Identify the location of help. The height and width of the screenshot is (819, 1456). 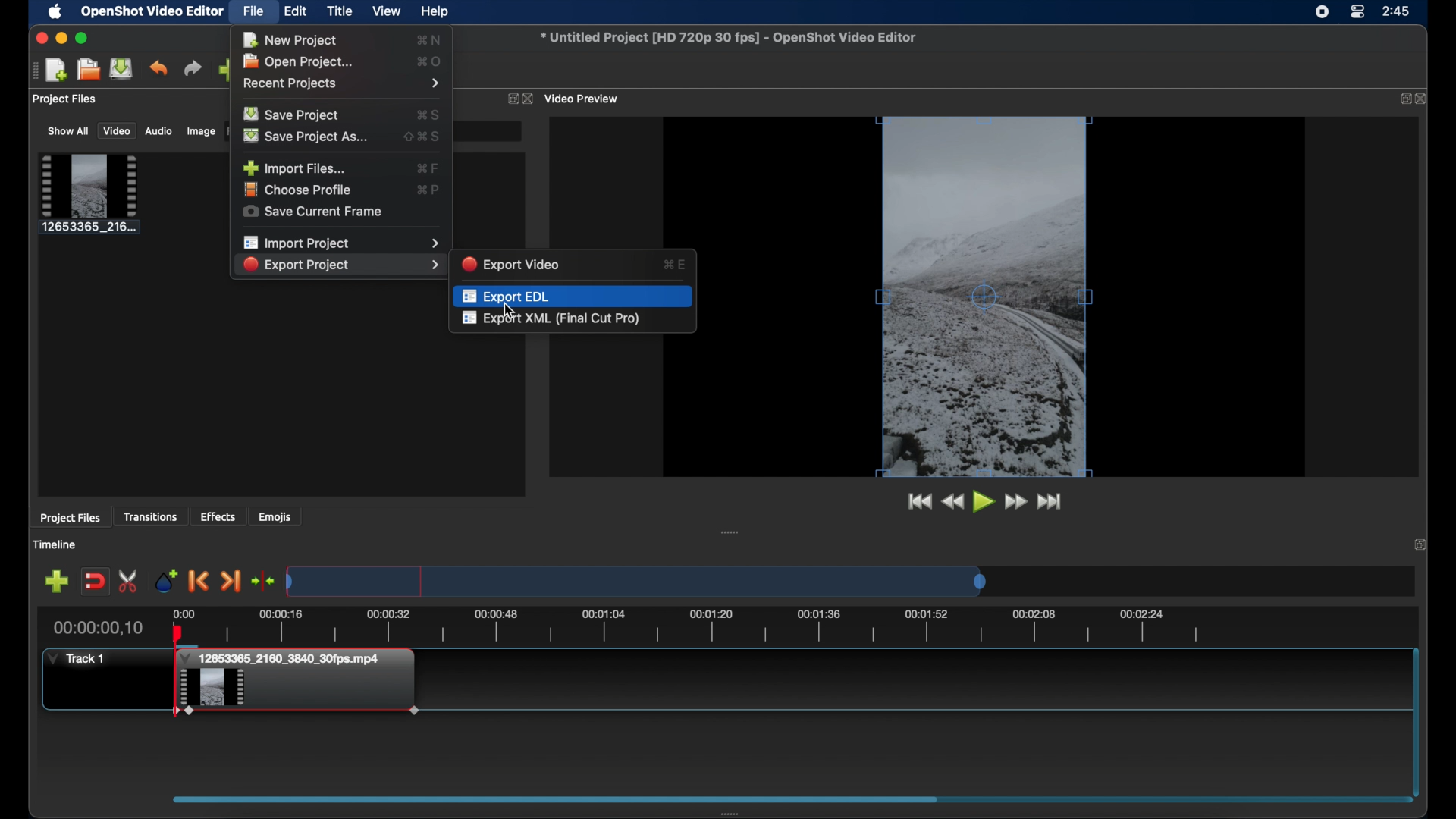
(437, 11).